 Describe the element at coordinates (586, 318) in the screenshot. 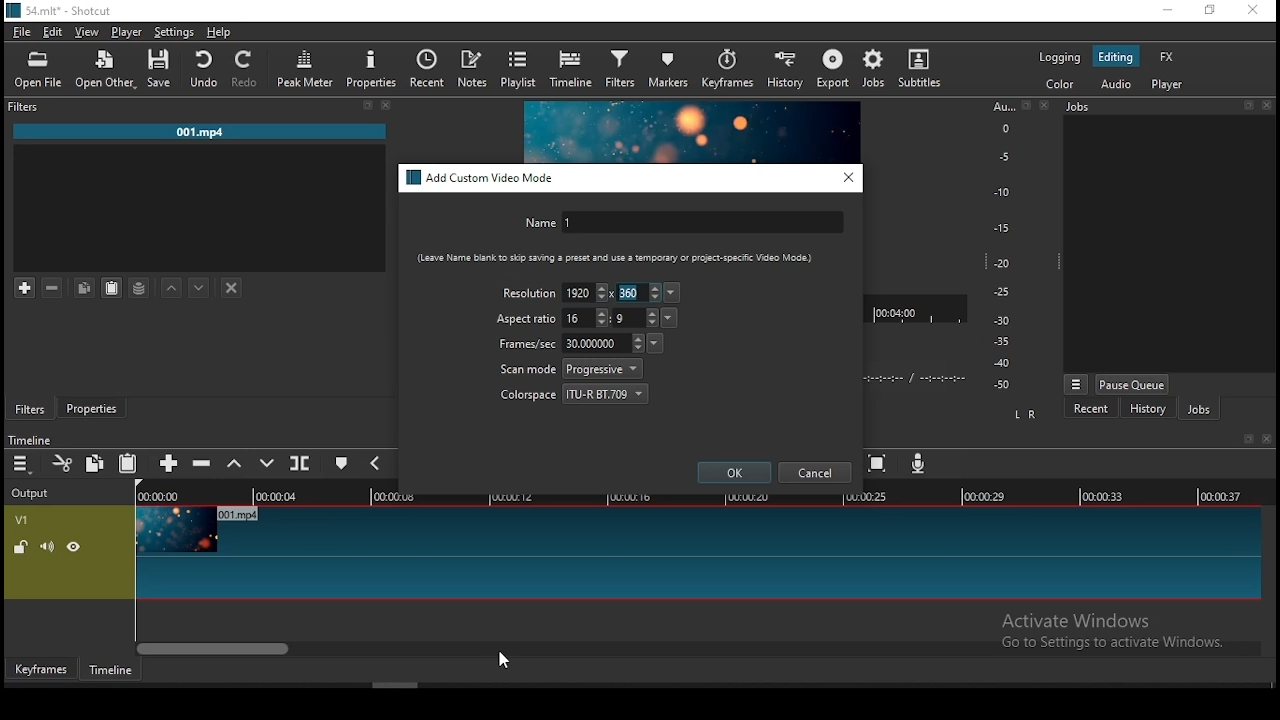

I see `width` at that location.